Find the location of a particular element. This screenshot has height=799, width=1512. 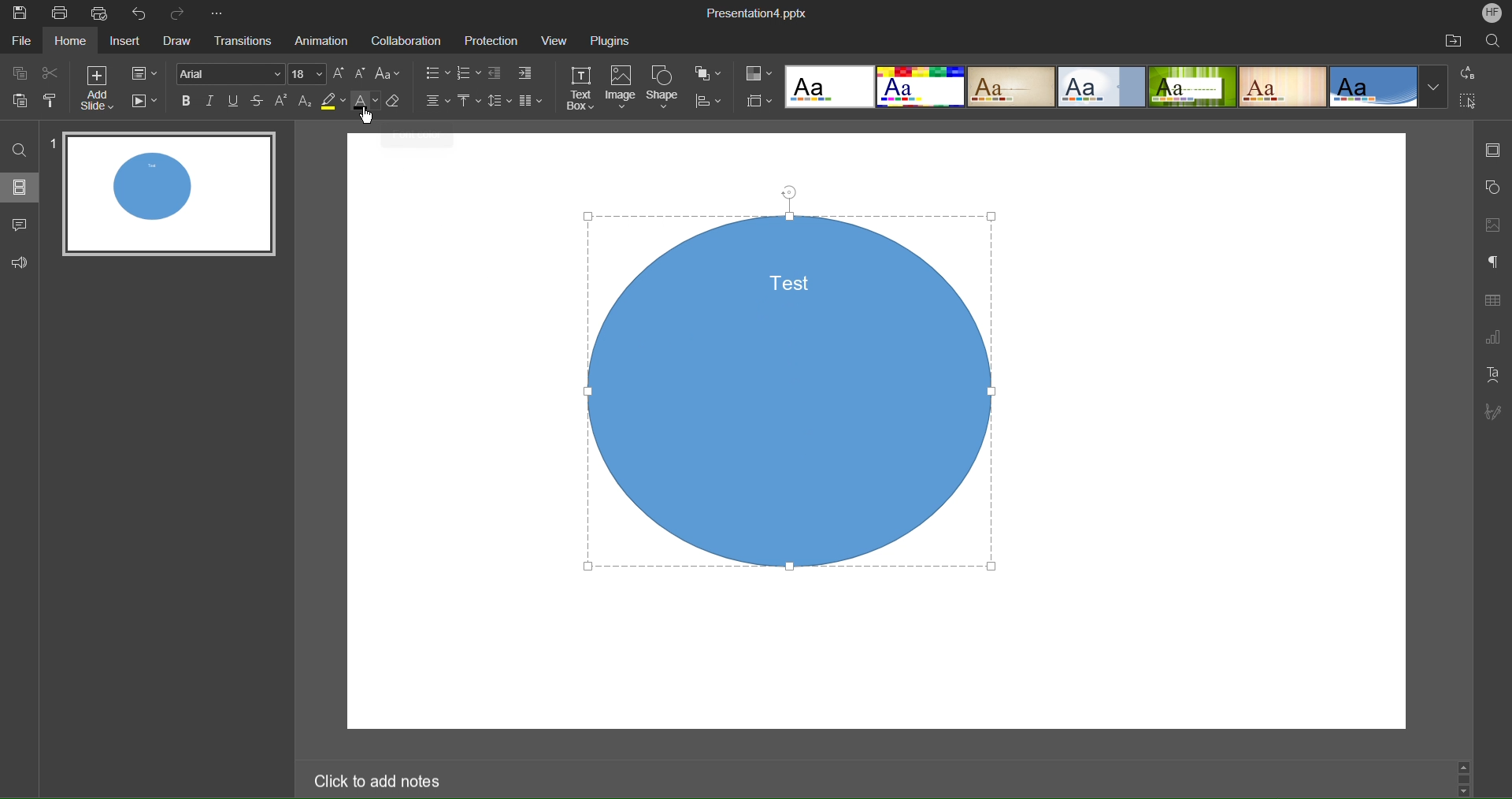

Comments is located at coordinates (24, 225).